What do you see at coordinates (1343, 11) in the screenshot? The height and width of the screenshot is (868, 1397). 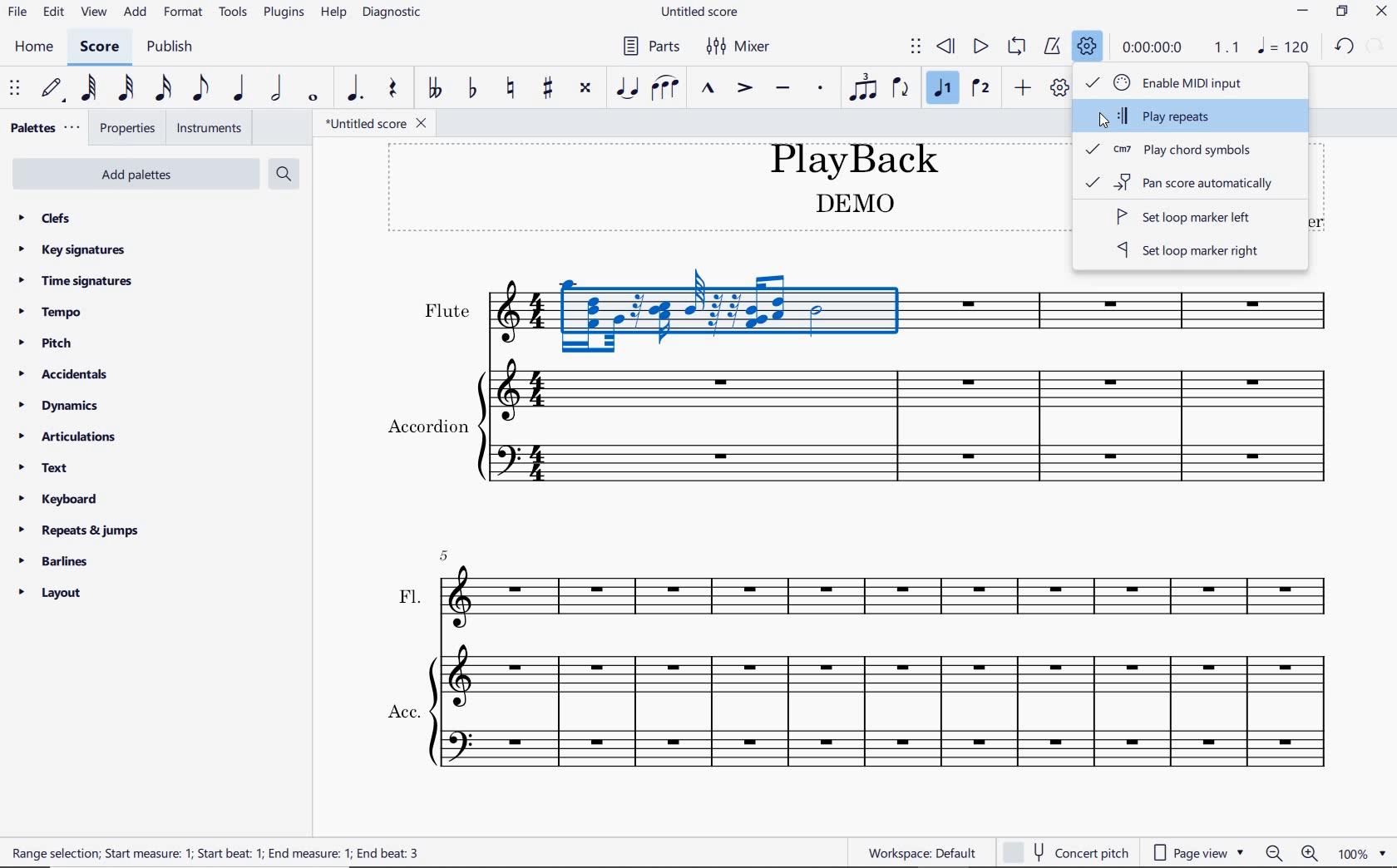 I see `restore down` at bounding box center [1343, 11].